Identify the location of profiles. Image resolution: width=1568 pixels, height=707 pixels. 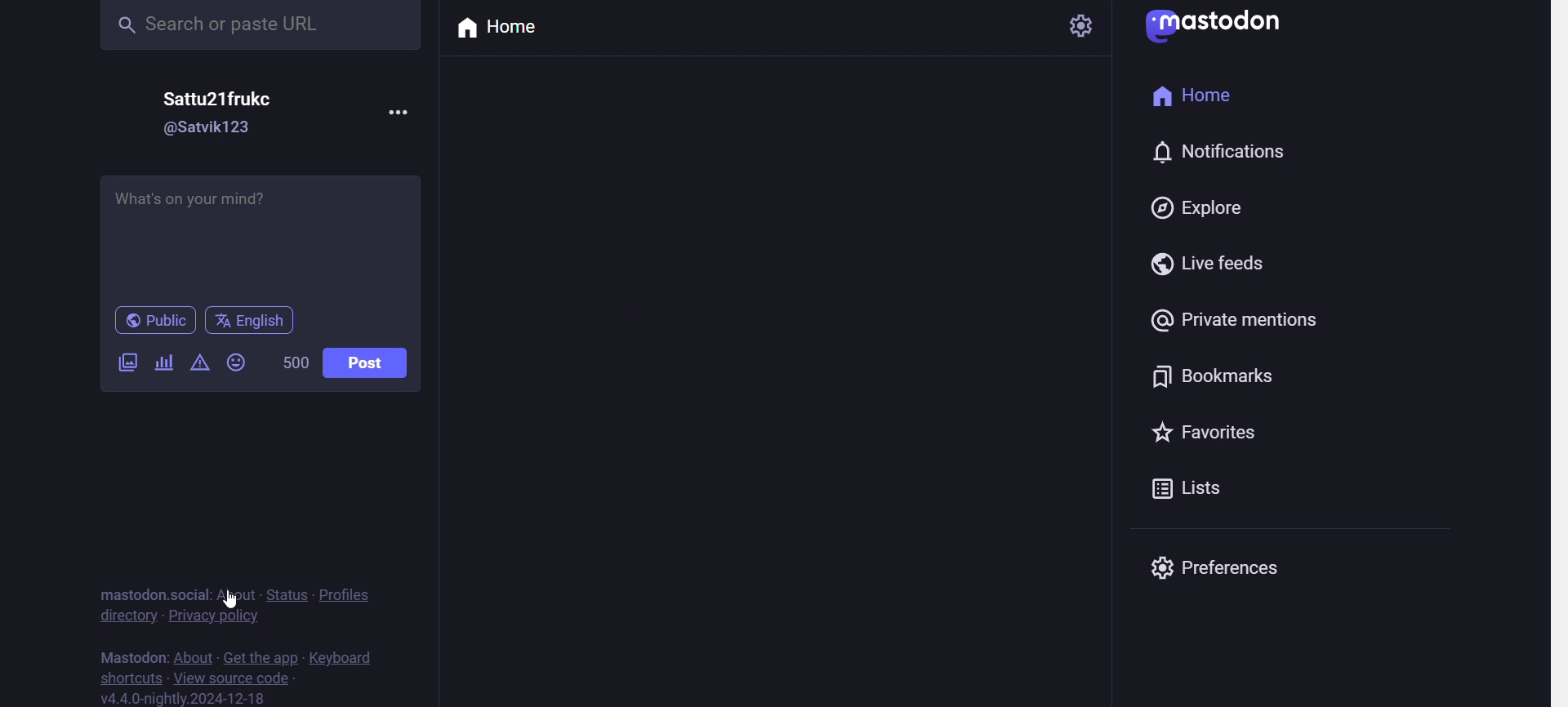
(353, 594).